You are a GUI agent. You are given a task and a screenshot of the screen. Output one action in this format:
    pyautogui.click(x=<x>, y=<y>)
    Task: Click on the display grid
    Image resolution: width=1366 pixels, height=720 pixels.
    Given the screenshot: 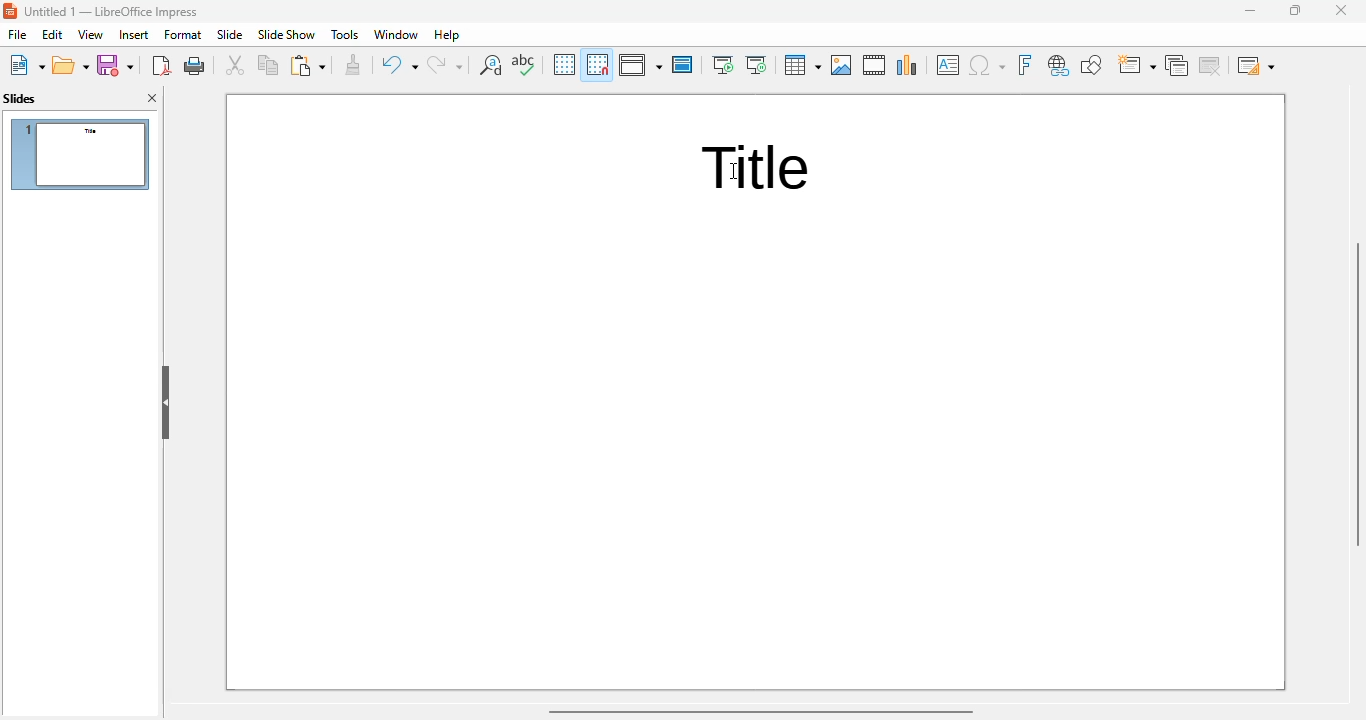 What is the action you would take?
    pyautogui.click(x=564, y=64)
    